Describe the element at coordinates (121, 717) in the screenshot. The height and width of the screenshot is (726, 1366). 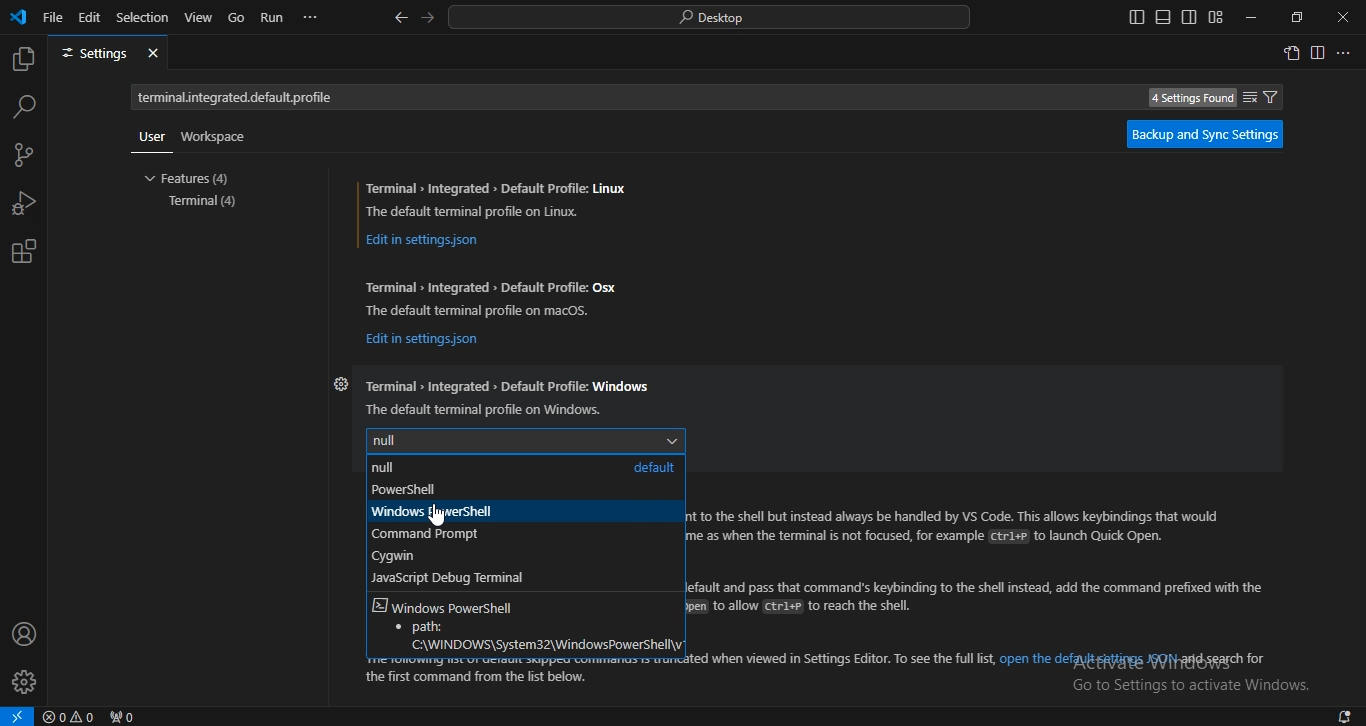
I see `no ports forwarded` at that location.